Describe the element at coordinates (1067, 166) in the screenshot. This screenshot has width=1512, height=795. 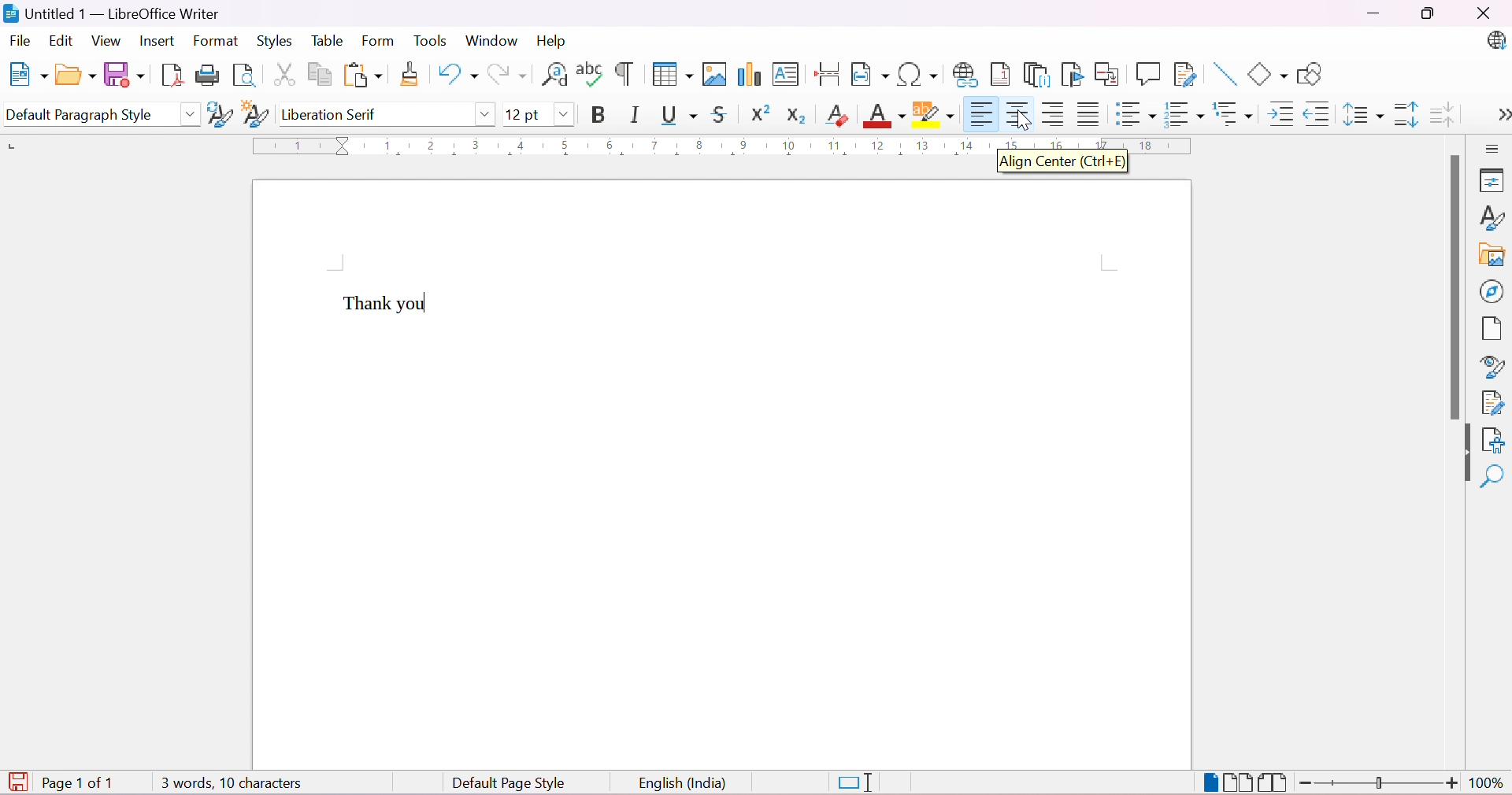
I see `Align Center (Ctrl+E)` at that location.